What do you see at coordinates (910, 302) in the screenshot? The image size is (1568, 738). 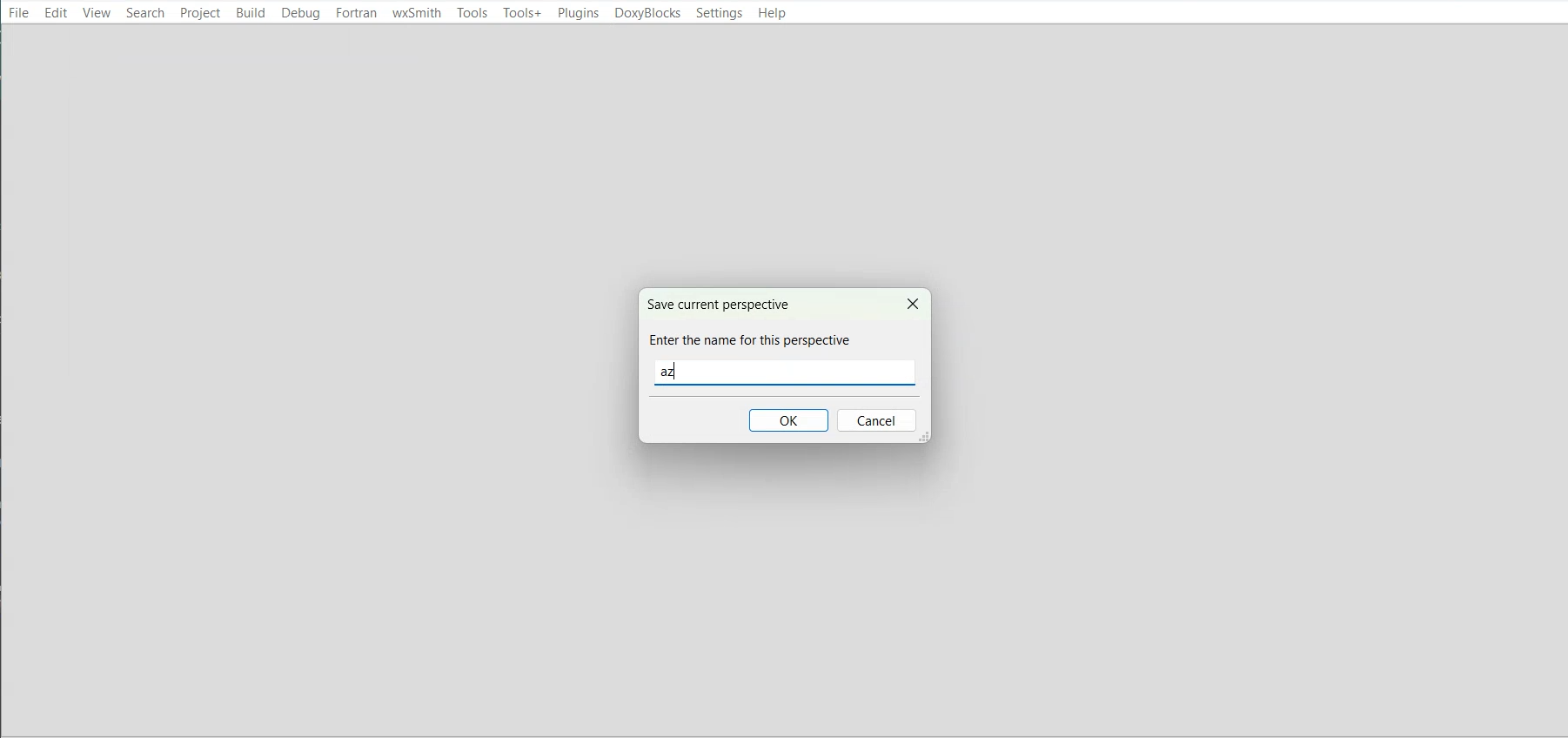 I see `Cancel` at bounding box center [910, 302].